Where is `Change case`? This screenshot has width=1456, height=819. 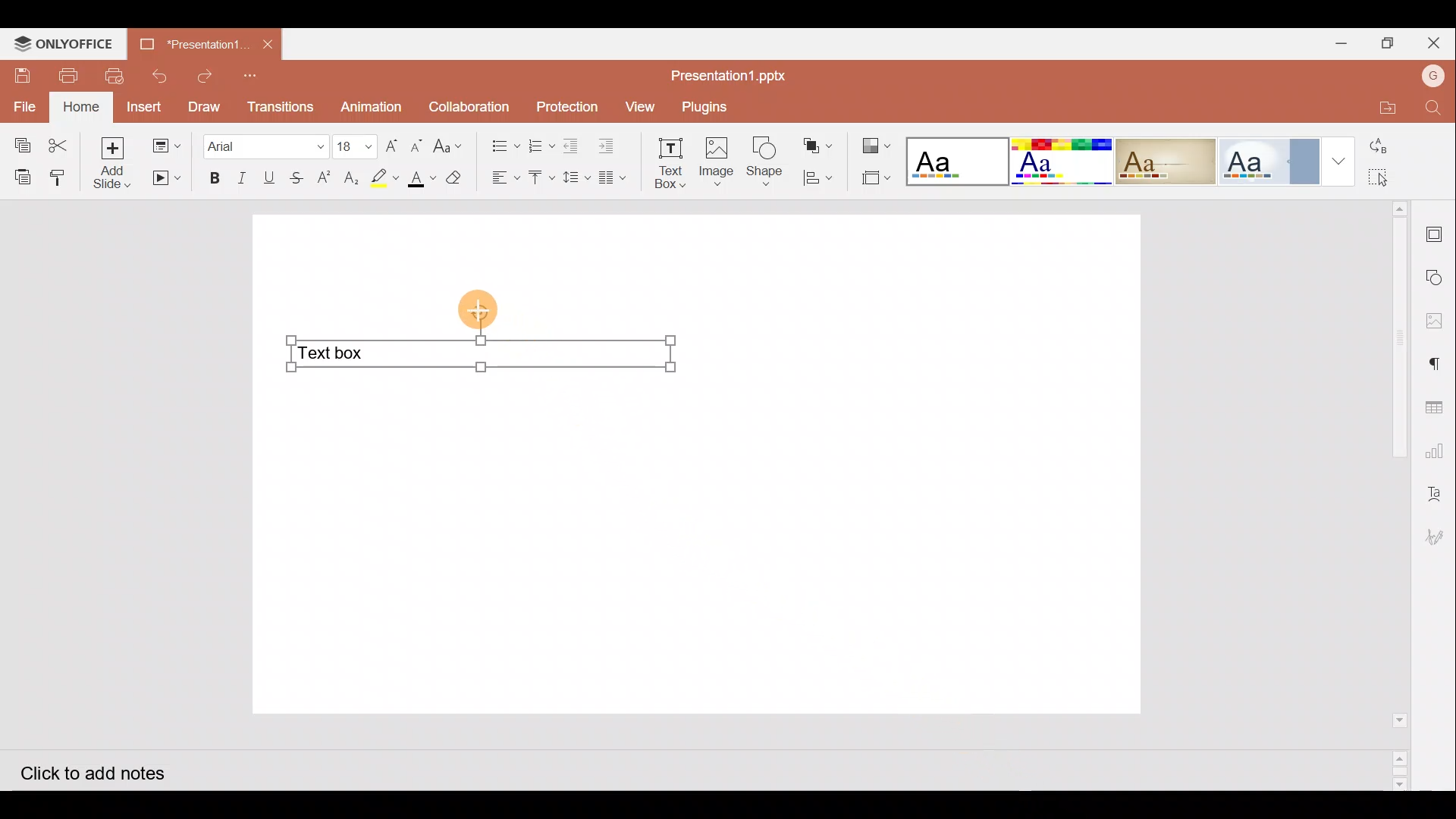 Change case is located at coordinates (451, 143).